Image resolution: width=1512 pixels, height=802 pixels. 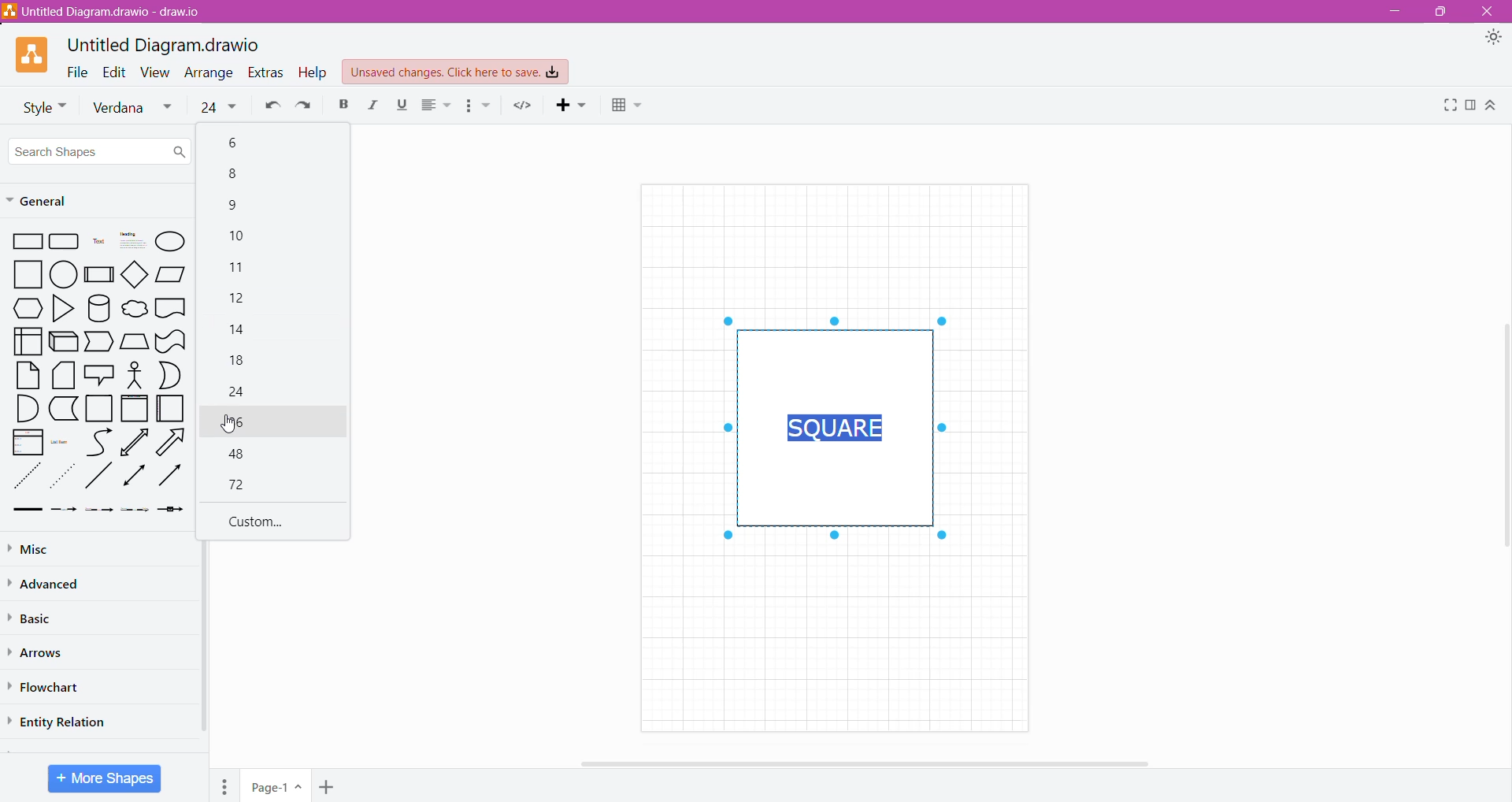 I want to click on Add Page, so click(x=329, y=786).